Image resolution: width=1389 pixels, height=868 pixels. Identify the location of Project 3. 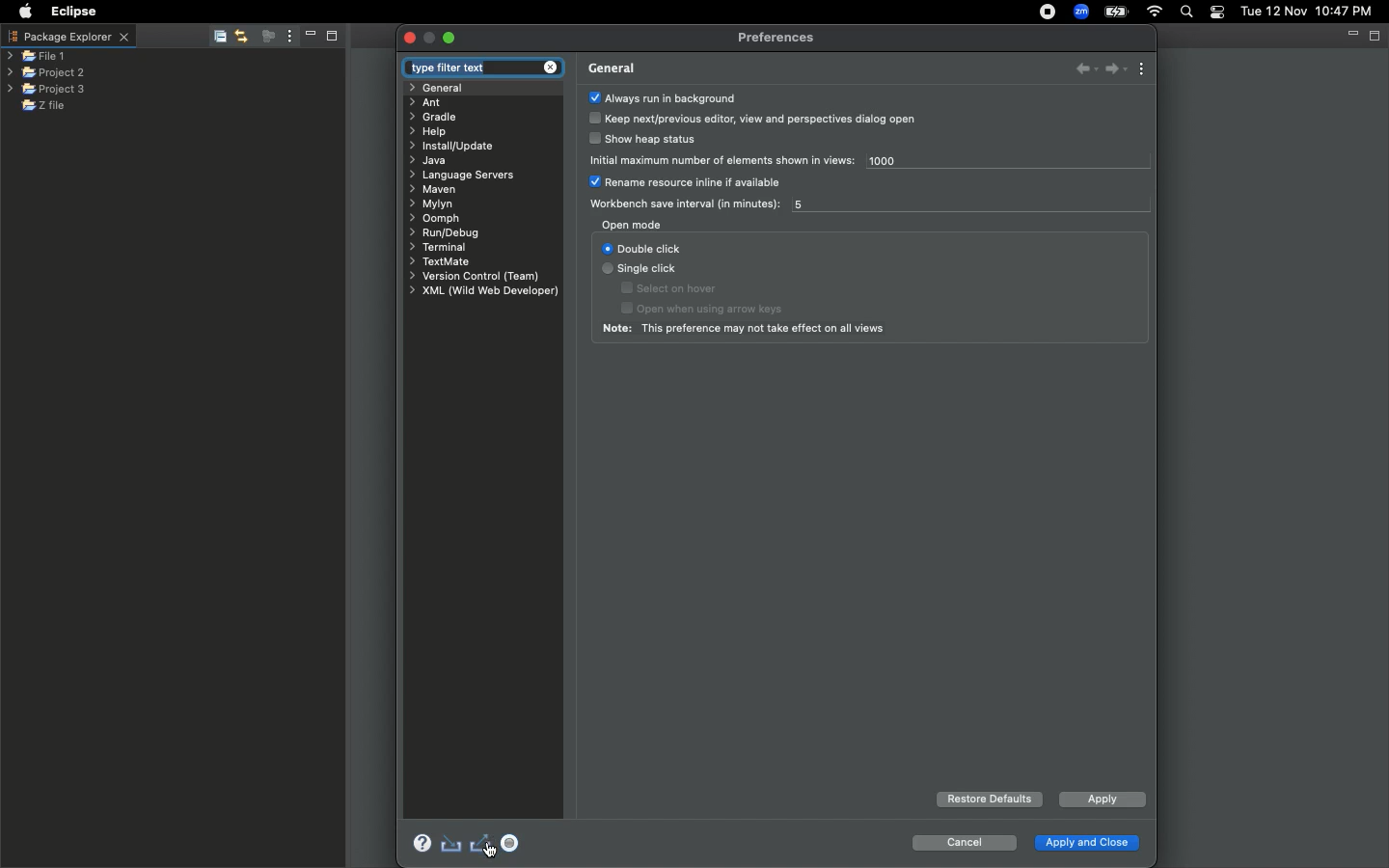
(46, 90).